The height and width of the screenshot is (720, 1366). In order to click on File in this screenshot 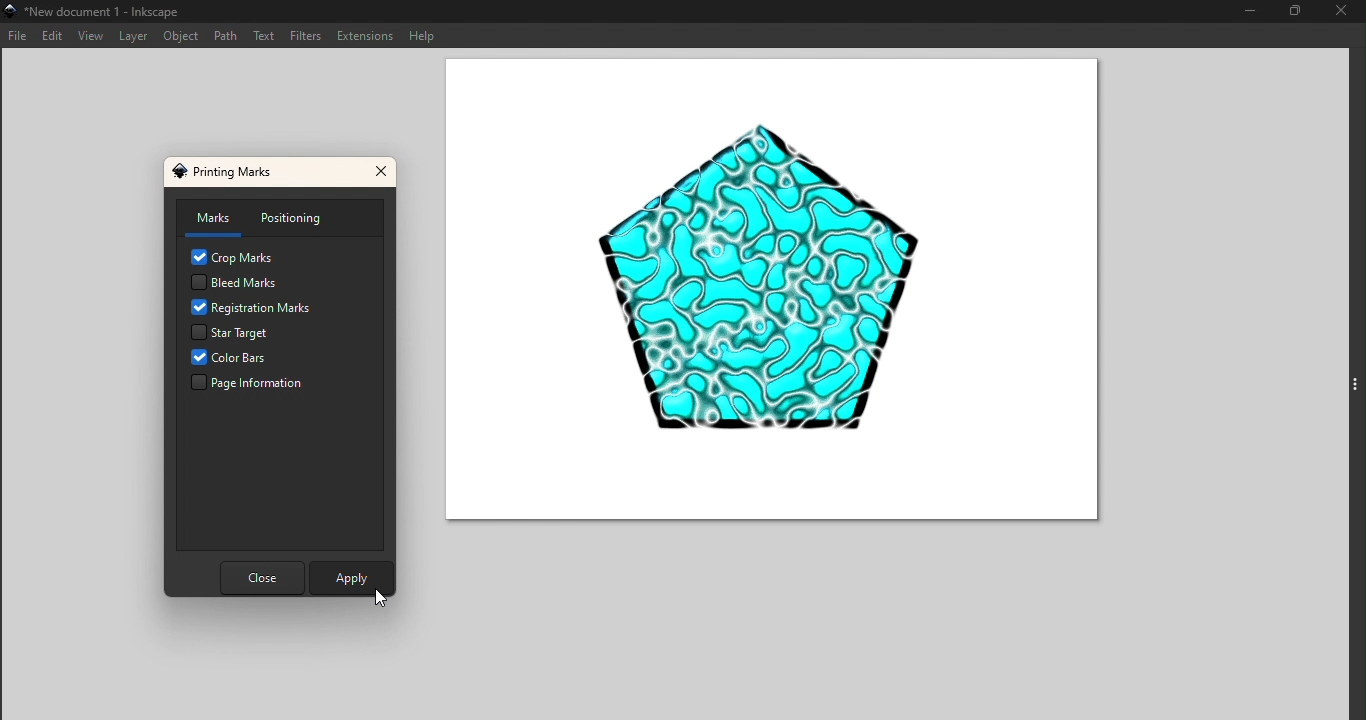, I will do `click(18, 35)`.